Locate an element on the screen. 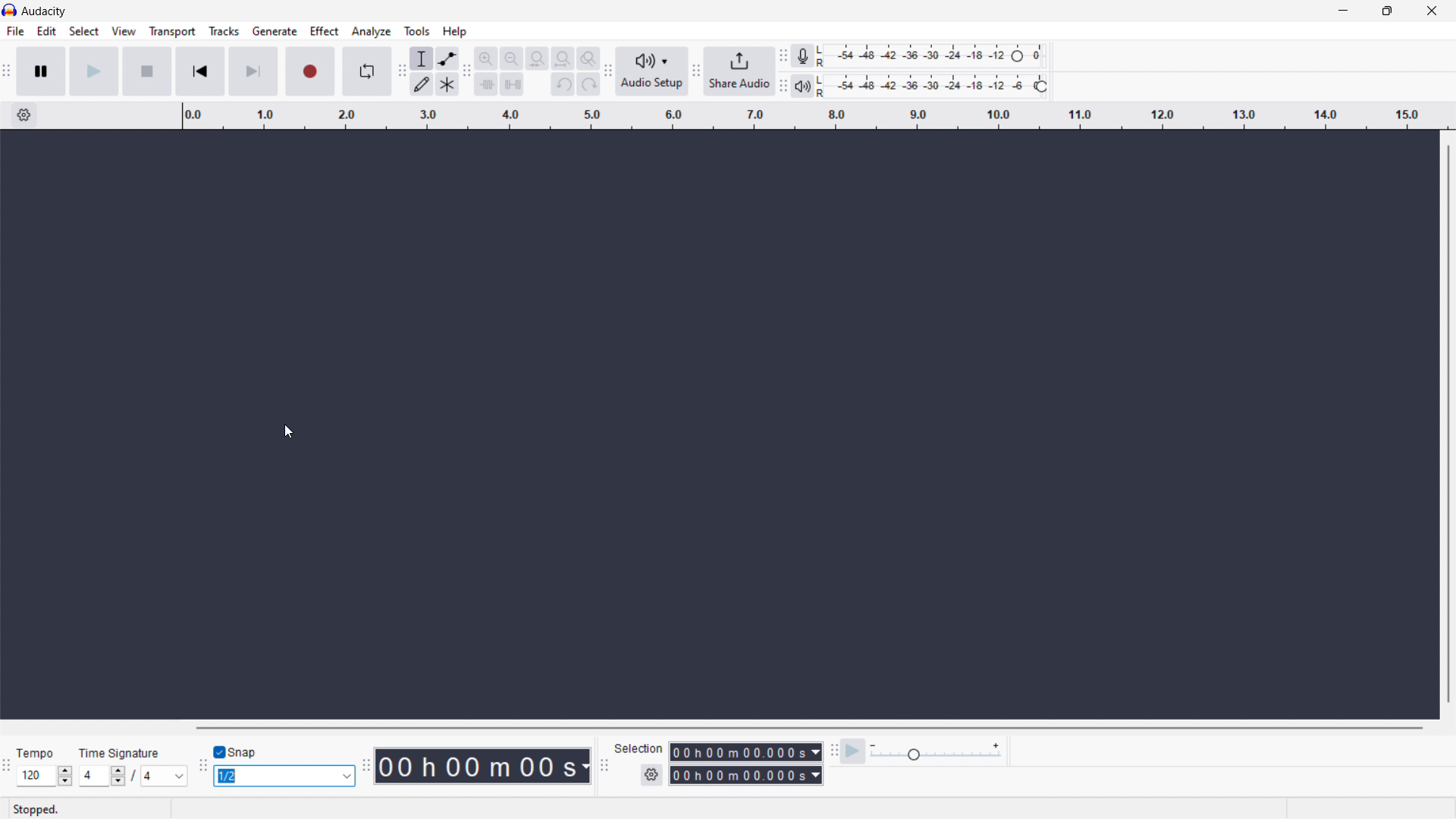 This screenshot has height=819, width=1456. Selection is located at coordinates (635, 746).